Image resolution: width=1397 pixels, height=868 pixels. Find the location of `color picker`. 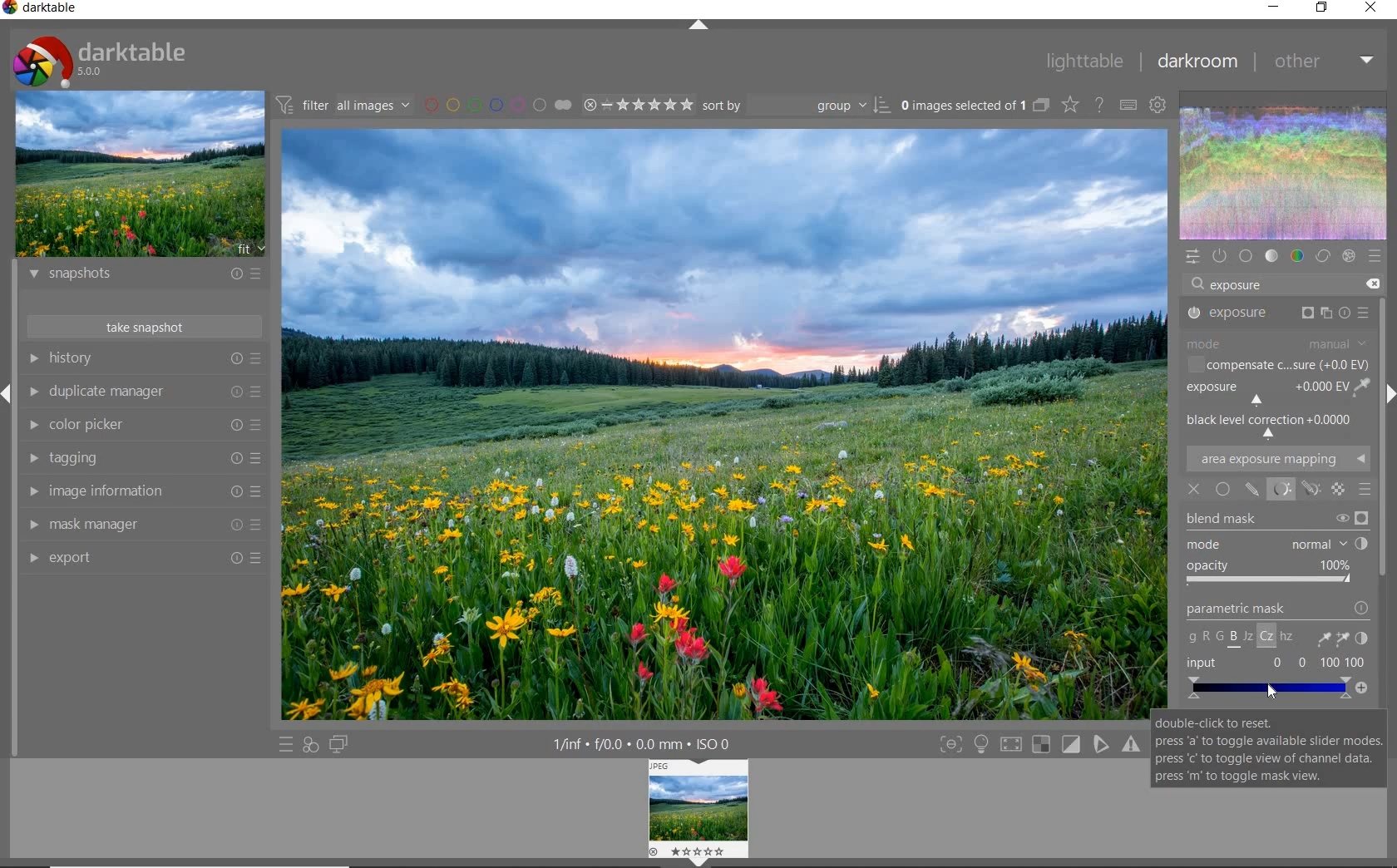

color picker is located at coordinates (142, 426).